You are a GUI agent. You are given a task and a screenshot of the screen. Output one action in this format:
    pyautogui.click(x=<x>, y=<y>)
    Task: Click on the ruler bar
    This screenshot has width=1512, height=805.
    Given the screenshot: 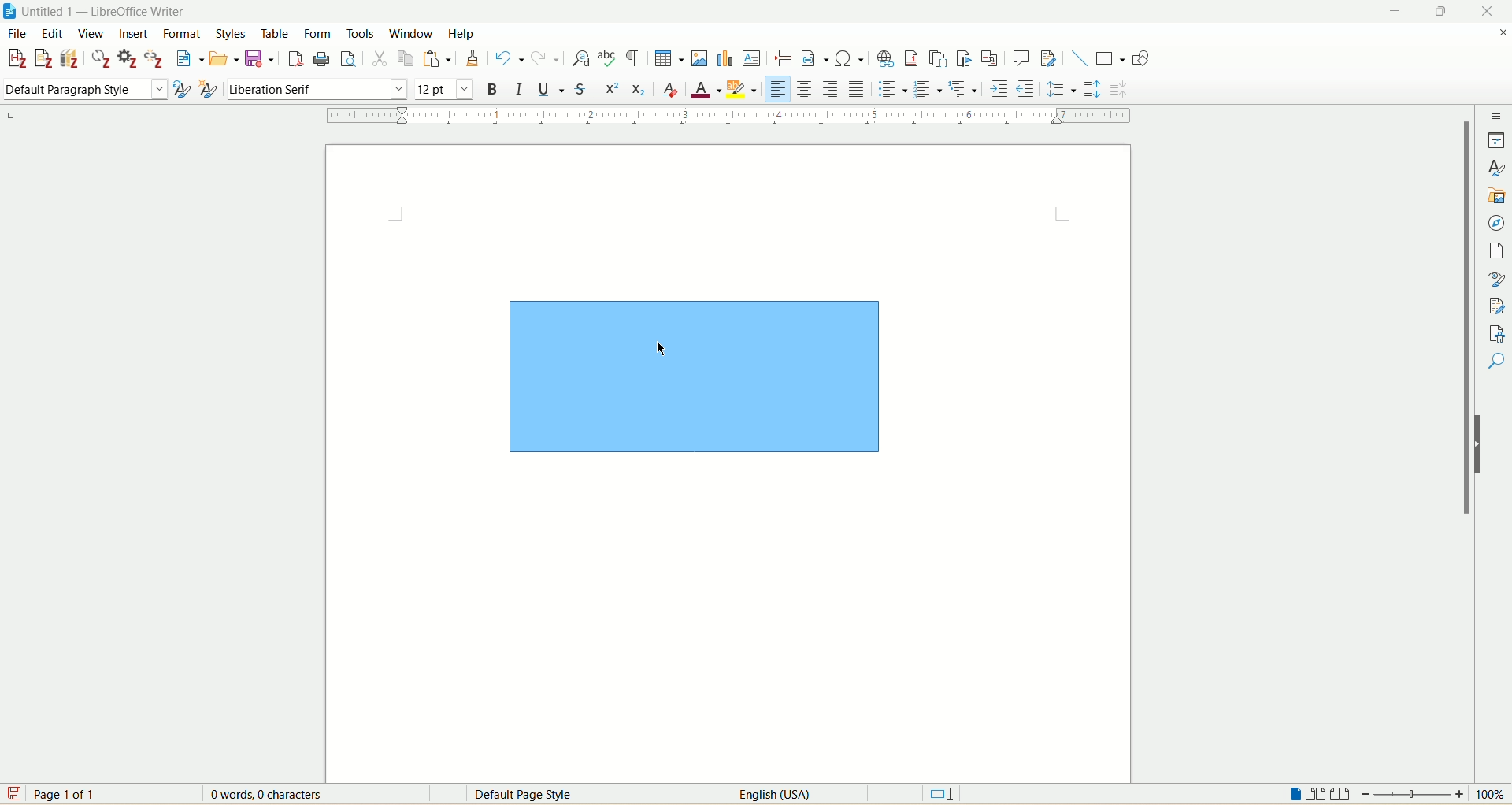 What is the action you would take?
    pyautogui.click(x=725, y=117)
    